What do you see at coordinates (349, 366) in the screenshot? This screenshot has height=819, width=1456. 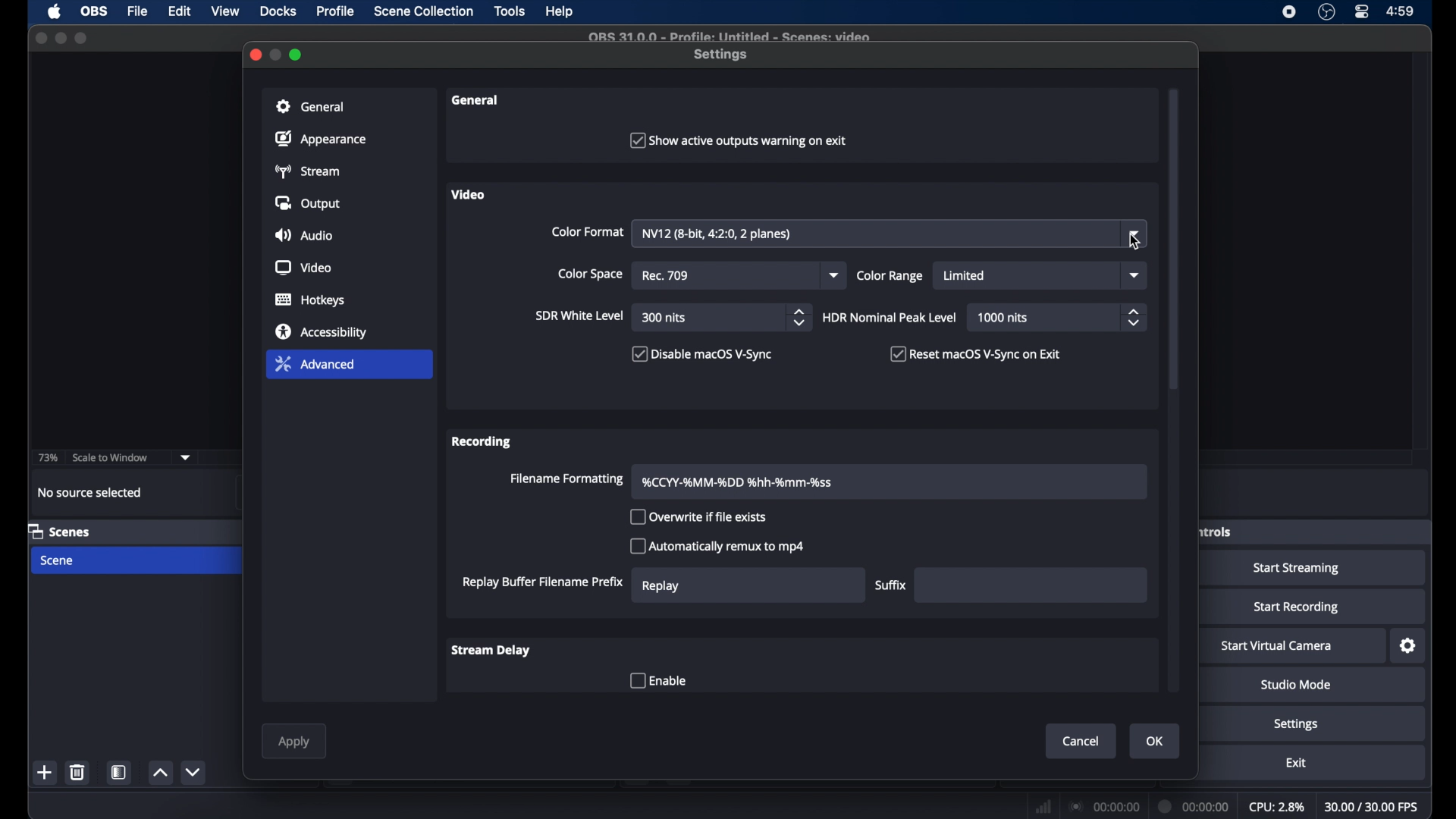 I see `advanced` at bounding box center [349, 366].